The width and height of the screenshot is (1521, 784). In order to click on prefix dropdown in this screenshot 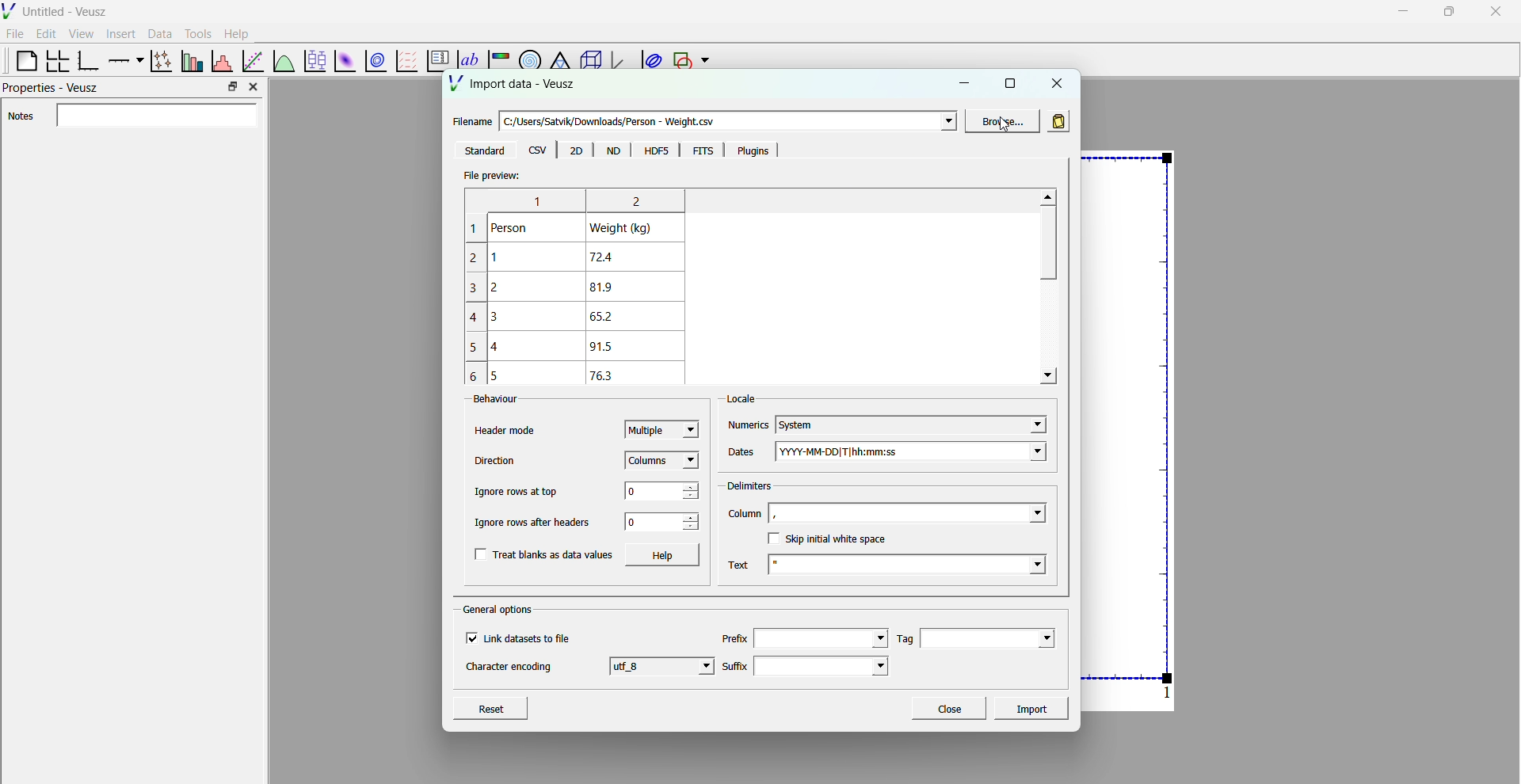, I will do `click(821, 637)`.